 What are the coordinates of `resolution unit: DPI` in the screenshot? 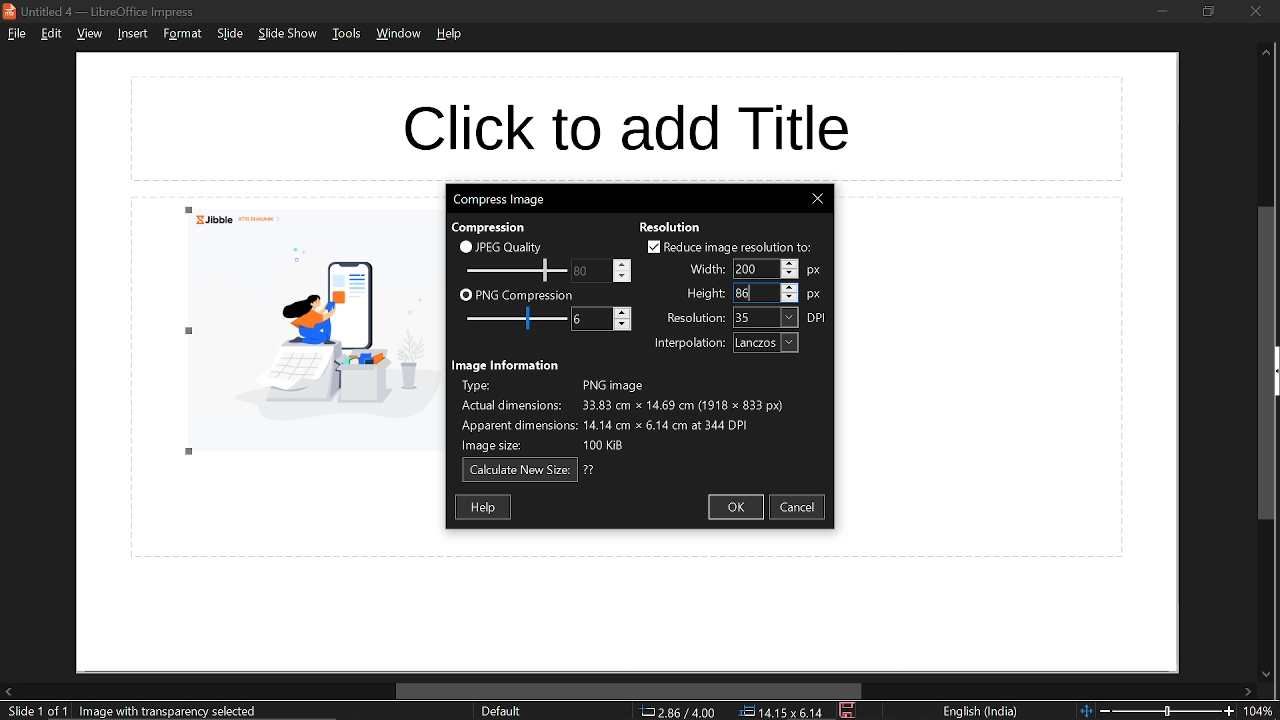 It's located at (818, 318).